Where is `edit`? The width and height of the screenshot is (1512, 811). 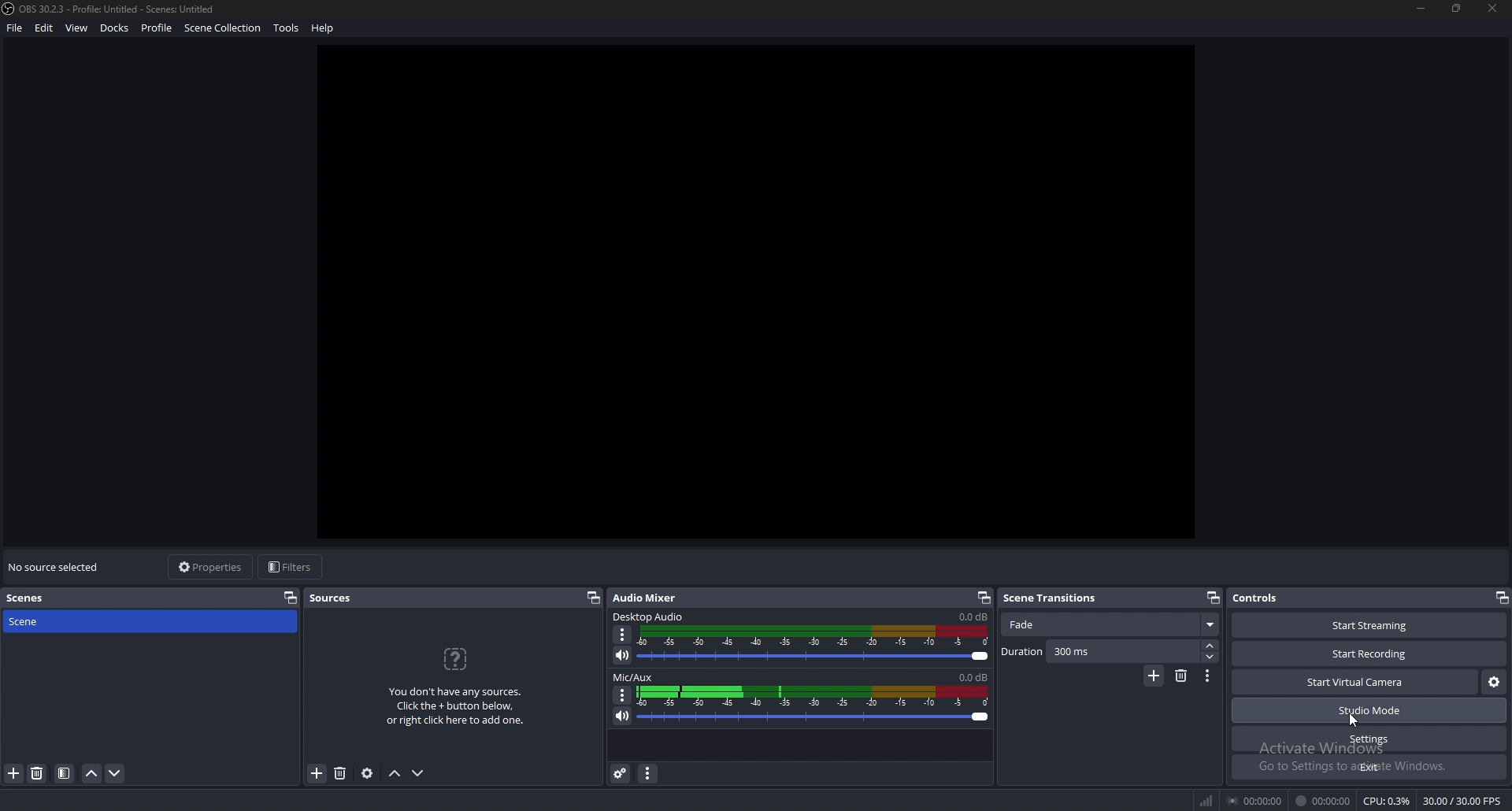 edit is located at coordinates (45, 28).